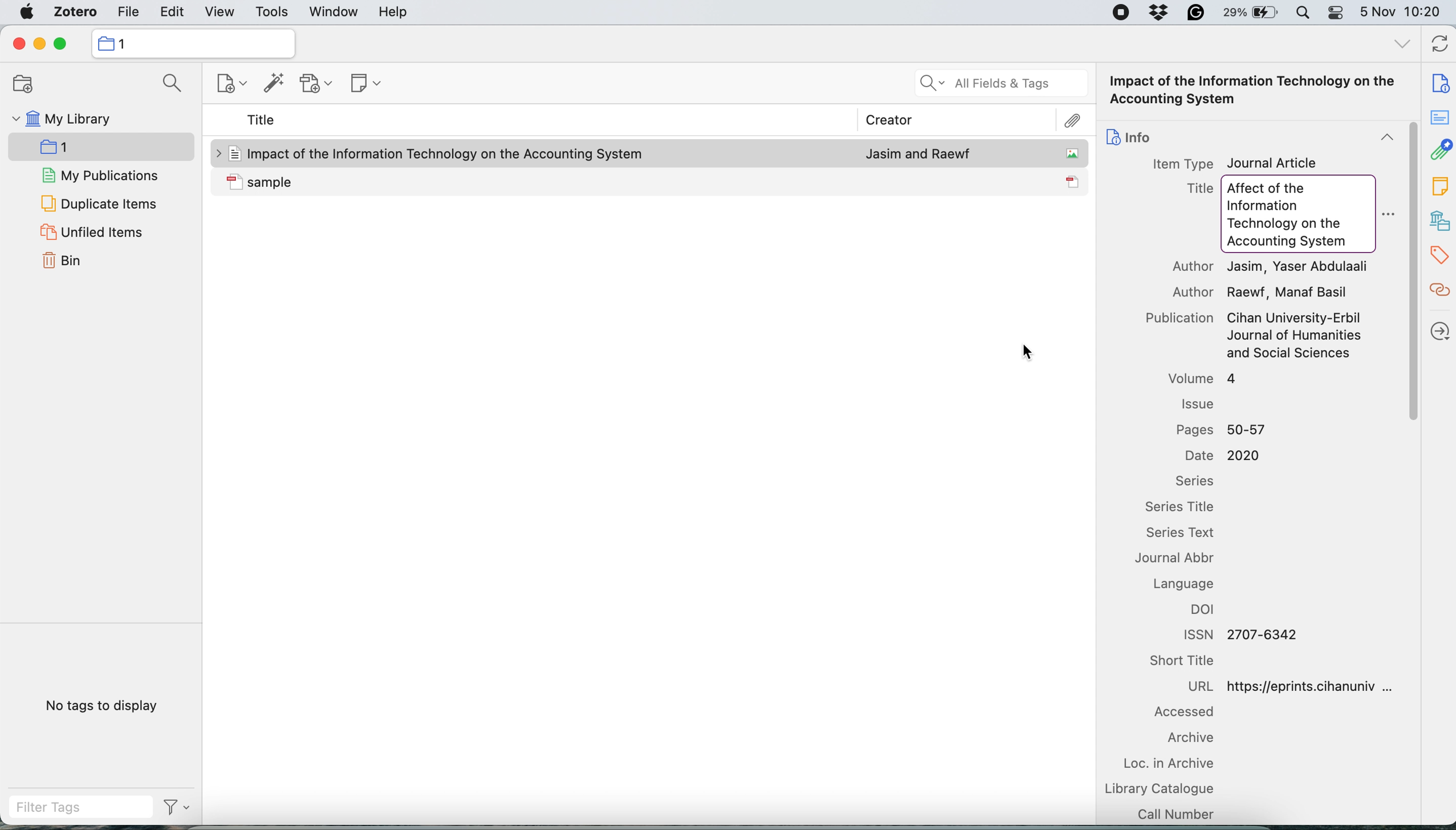  What do you see at coordinates (23, 83) in the screenshot?
I see `new collection` at bounding box center [23, 83].